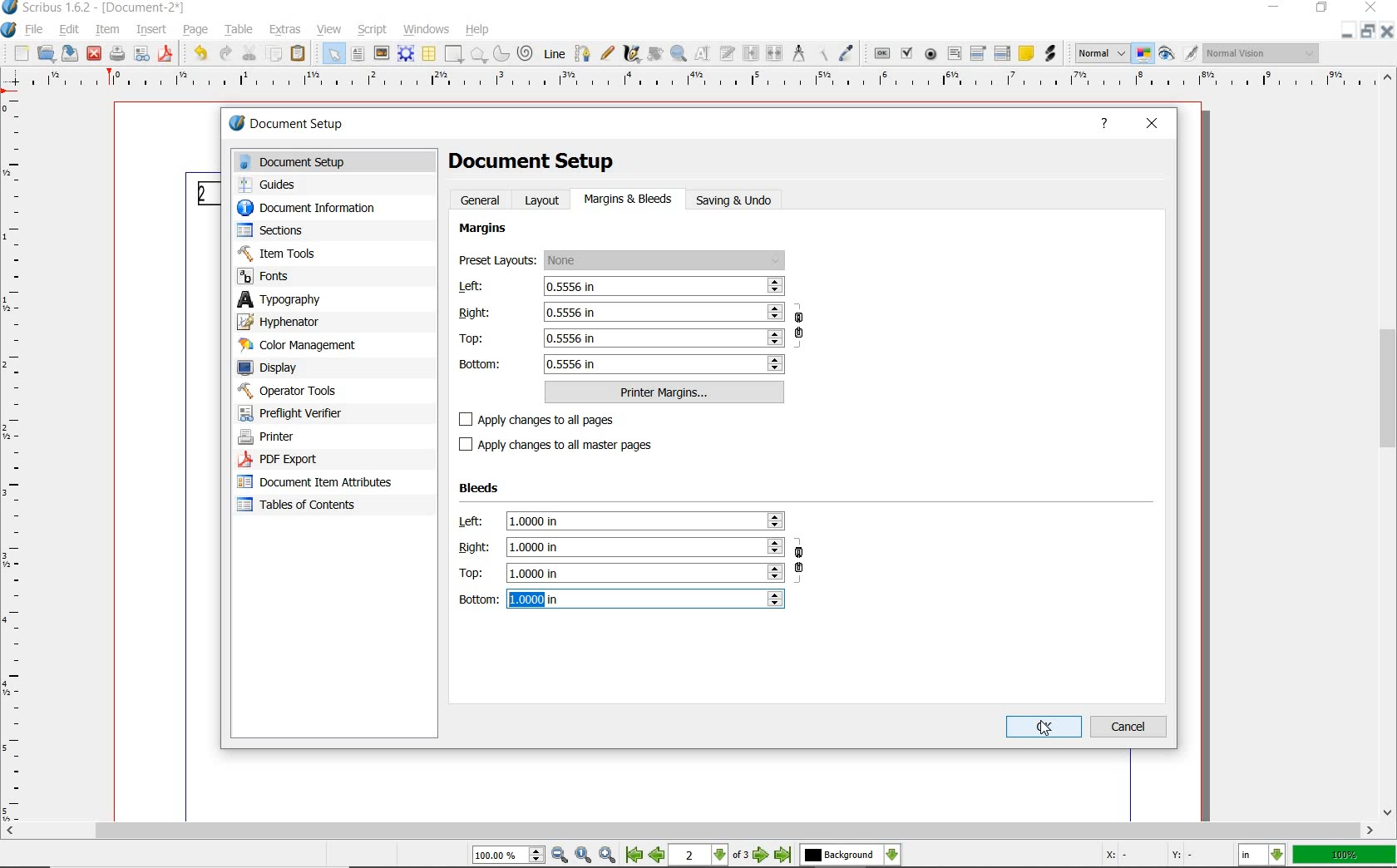 This screenshot has width=1397, height=868. I want to click on Minimize, so click(1369, 33).